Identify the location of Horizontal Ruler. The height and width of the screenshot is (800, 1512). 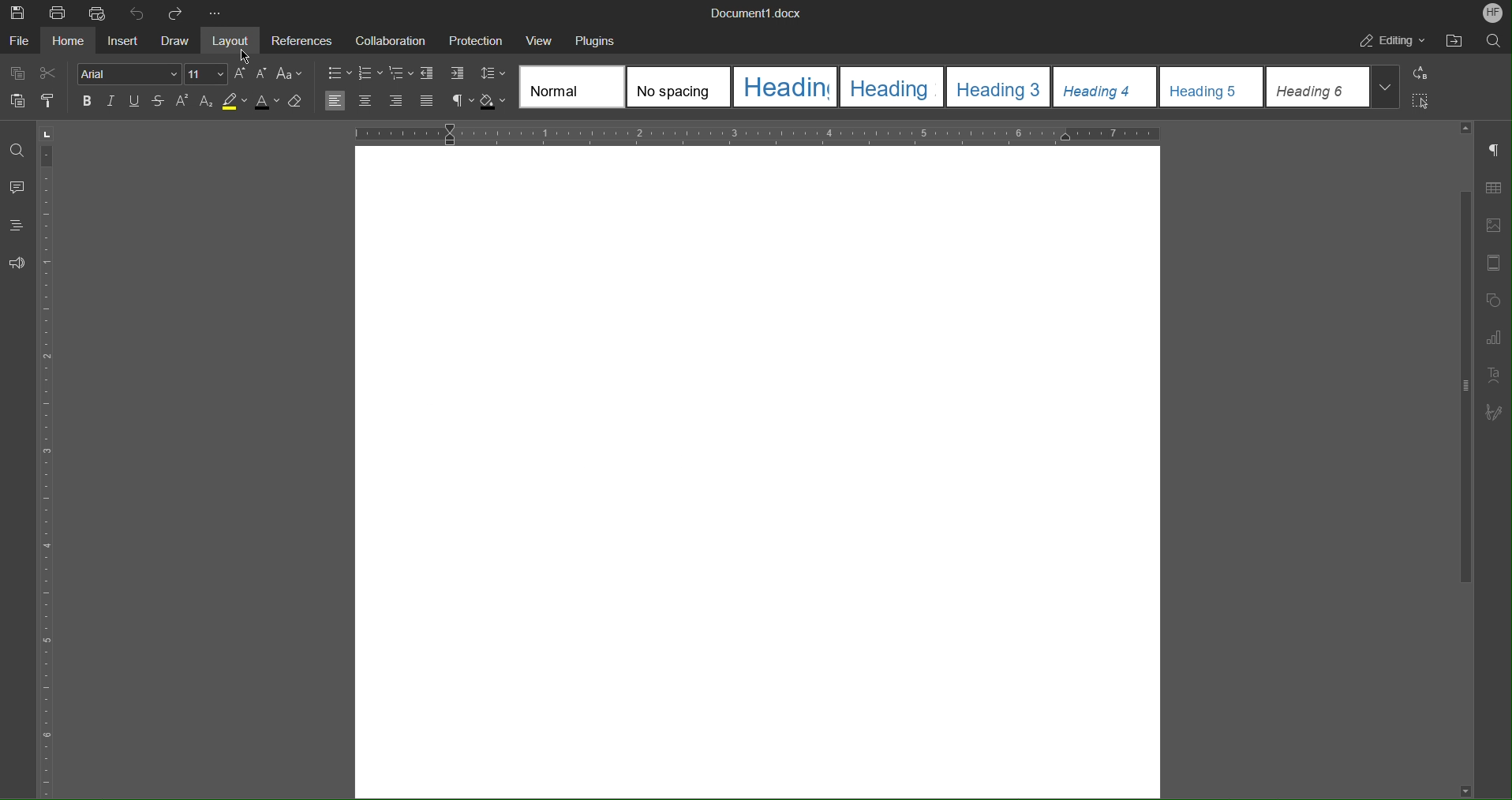
(750, 132).